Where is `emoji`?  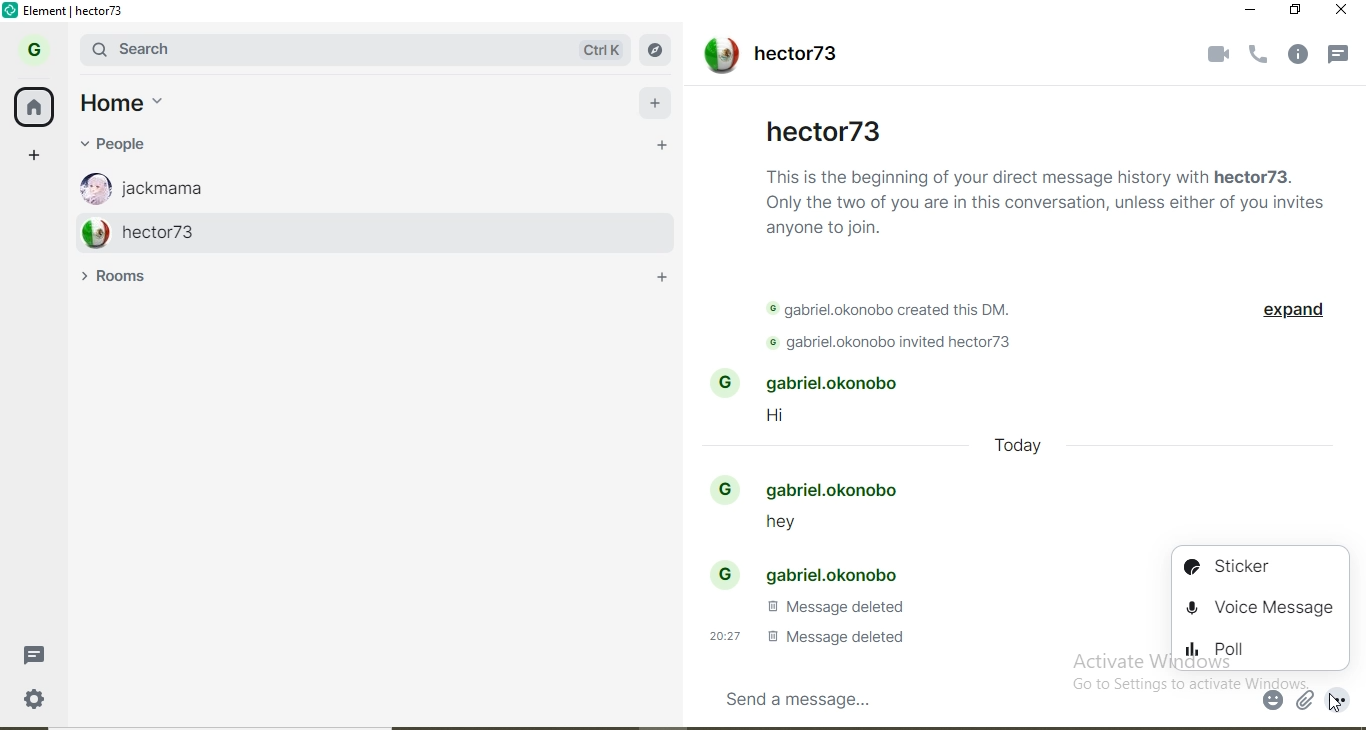
emoji is located at coordinates (1274, 701).